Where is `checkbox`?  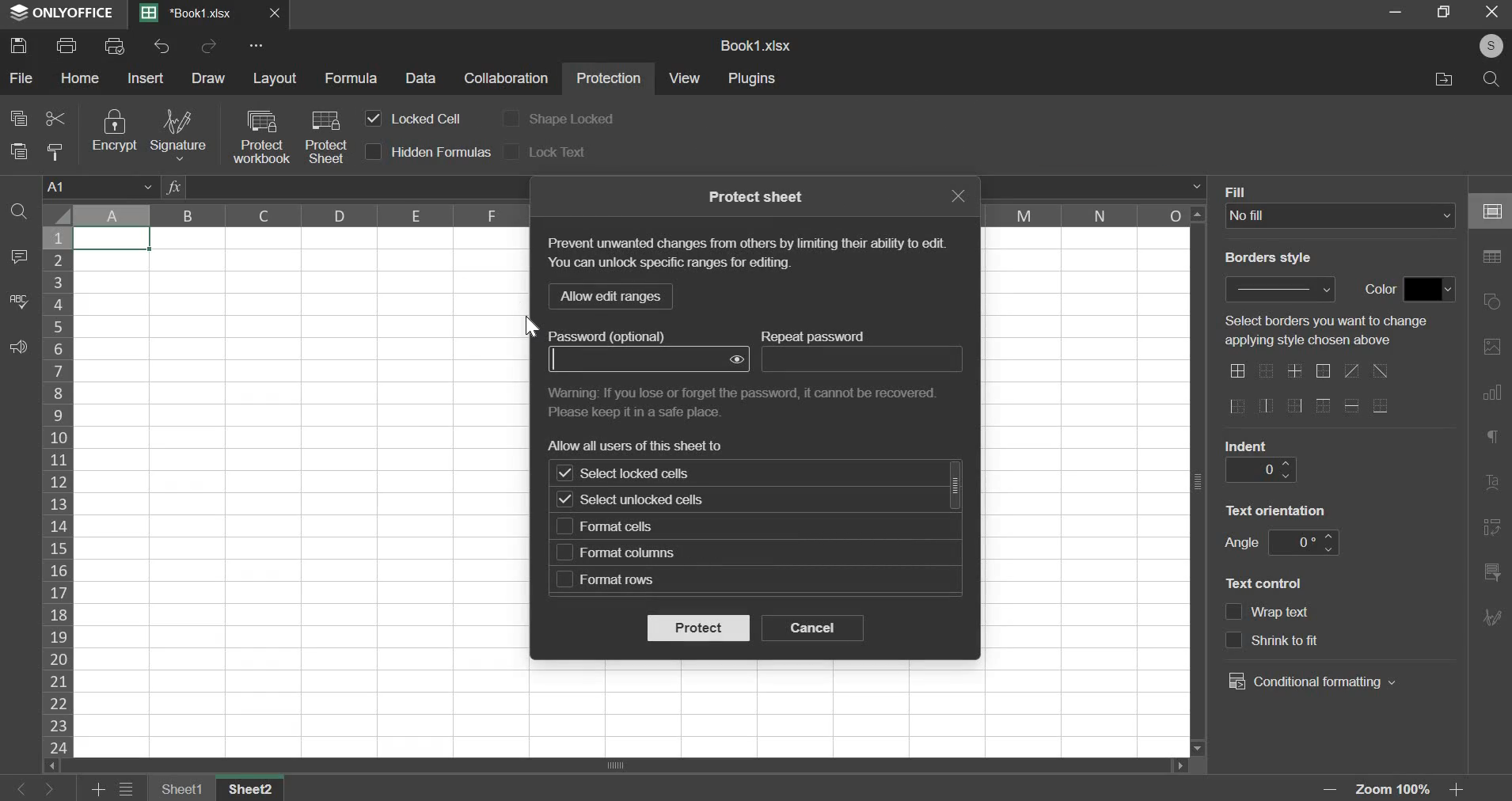
checkbox is located at coordinates (1234, 613).